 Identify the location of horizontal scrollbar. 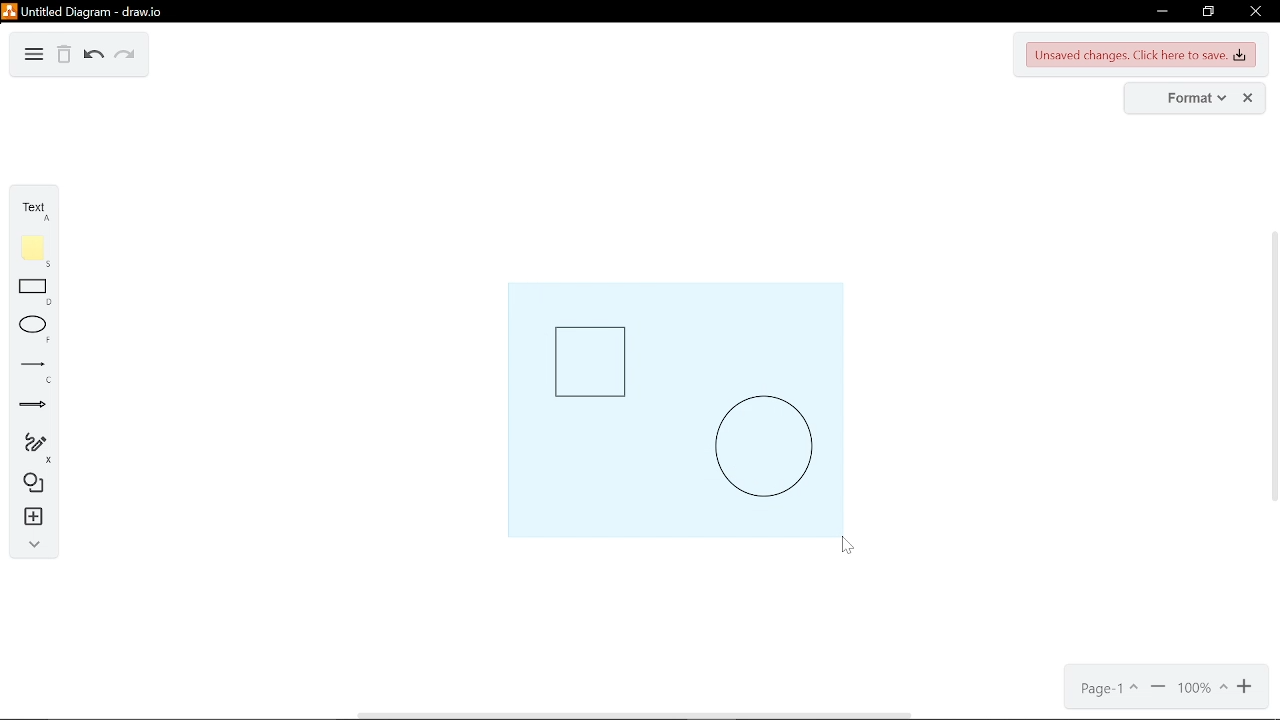
(635, 715).